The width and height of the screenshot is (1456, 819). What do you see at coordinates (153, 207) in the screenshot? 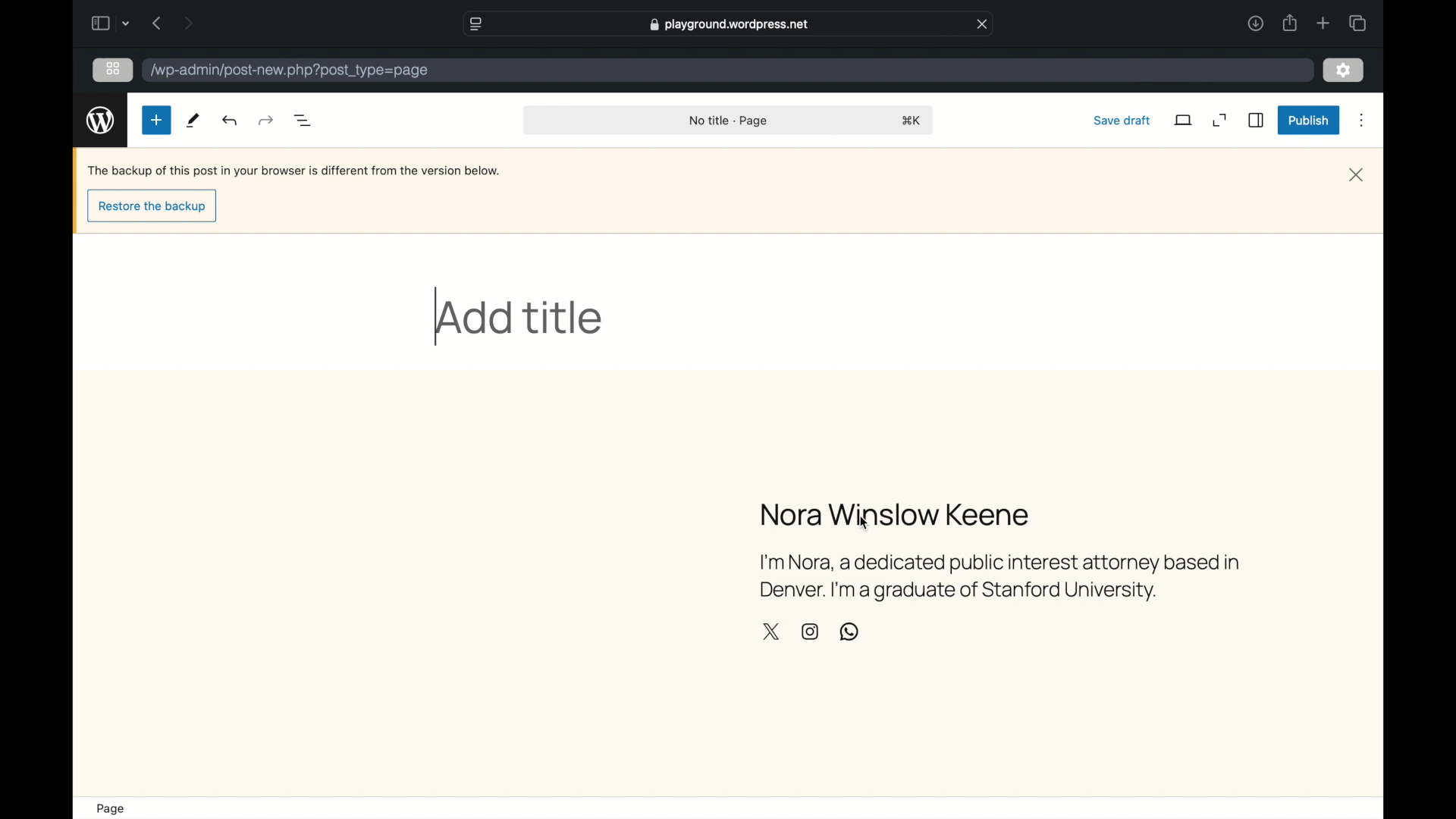
I see `restore the backup` at bounding box center [153, 207].